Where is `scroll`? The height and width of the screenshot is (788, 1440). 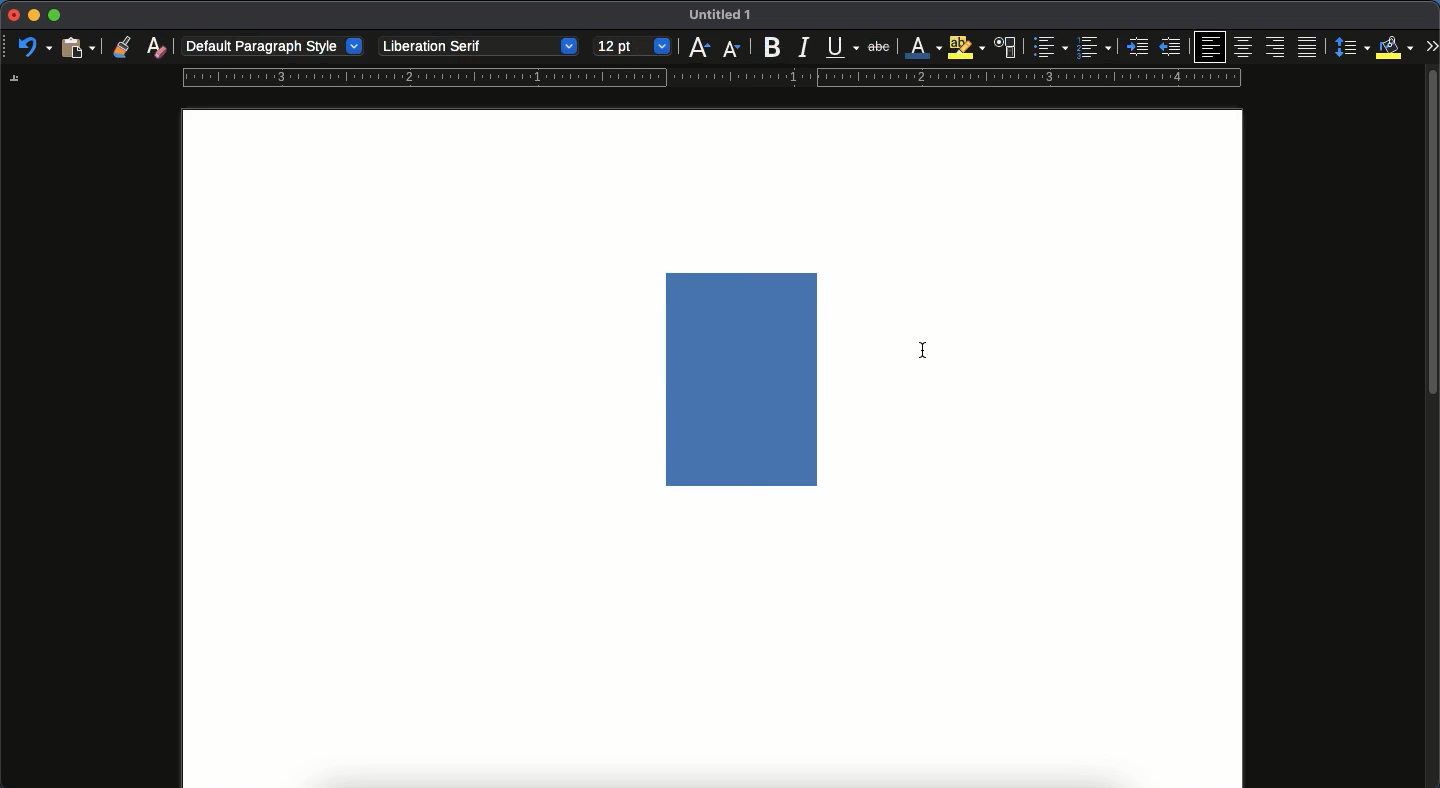
scroll is located at coordinates (1433, 432).